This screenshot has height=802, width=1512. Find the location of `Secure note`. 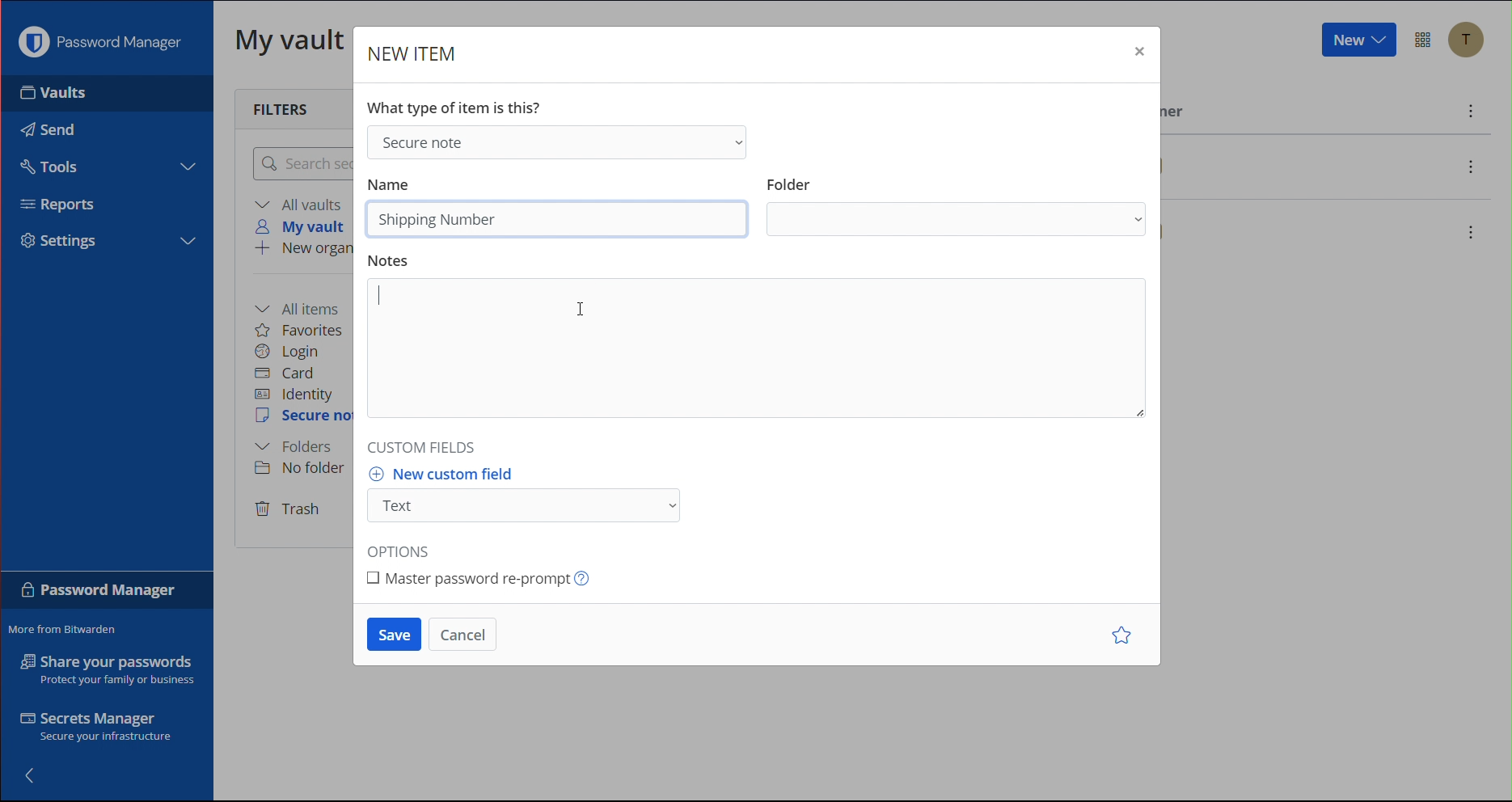

Secure note is located at coordinates (563, 142).